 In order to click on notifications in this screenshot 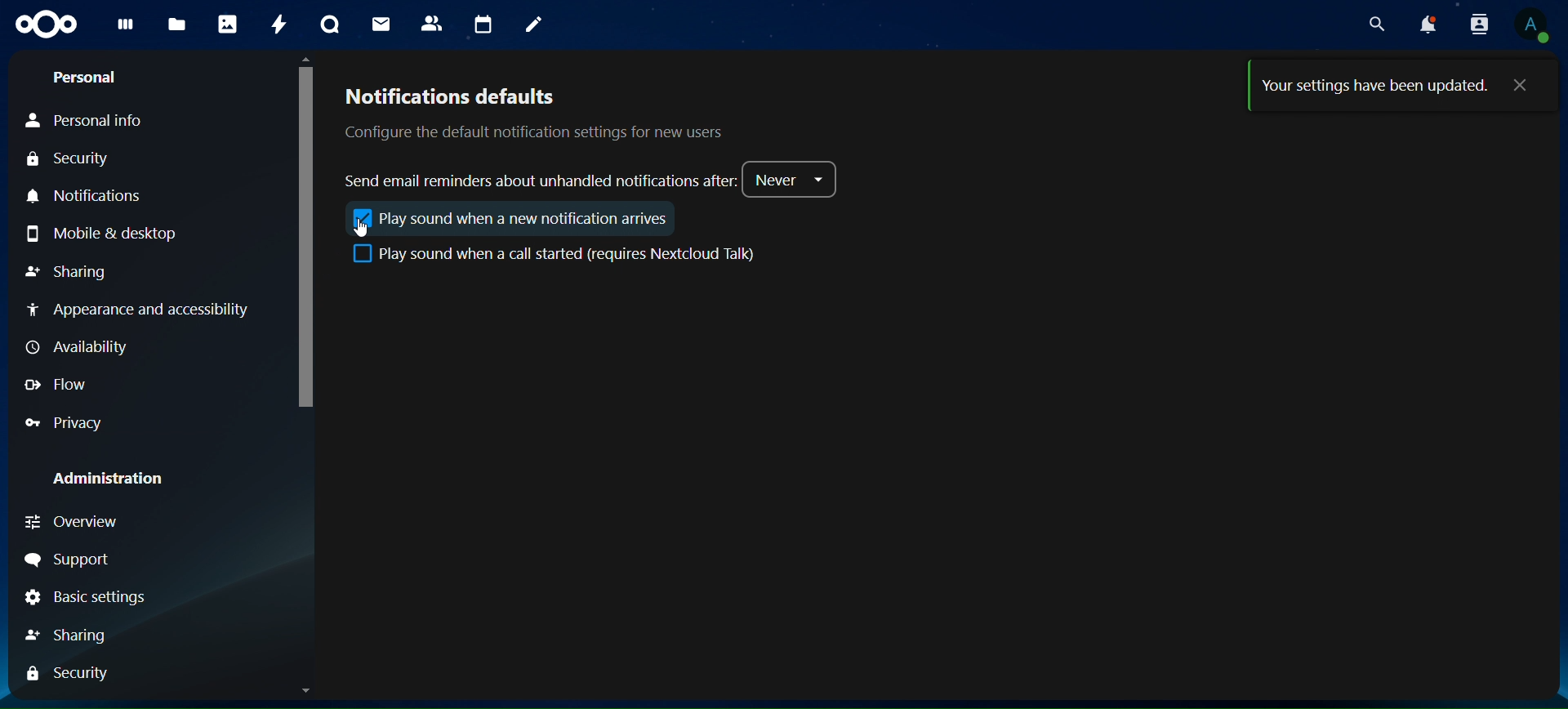, I will do `click(1425, 24)`.